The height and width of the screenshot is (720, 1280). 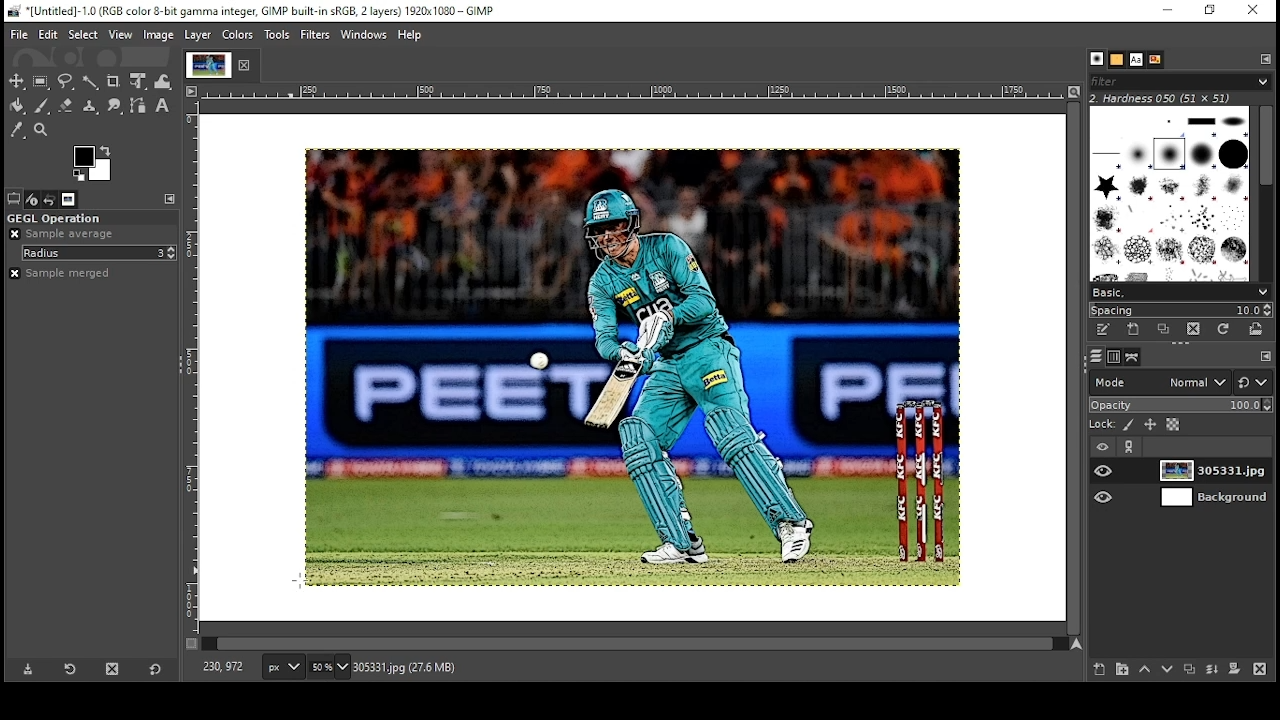 What do you see at coordinates (315, 45) in the screenshot?
I see `mouse pointer` at bounding box center [315, 45].